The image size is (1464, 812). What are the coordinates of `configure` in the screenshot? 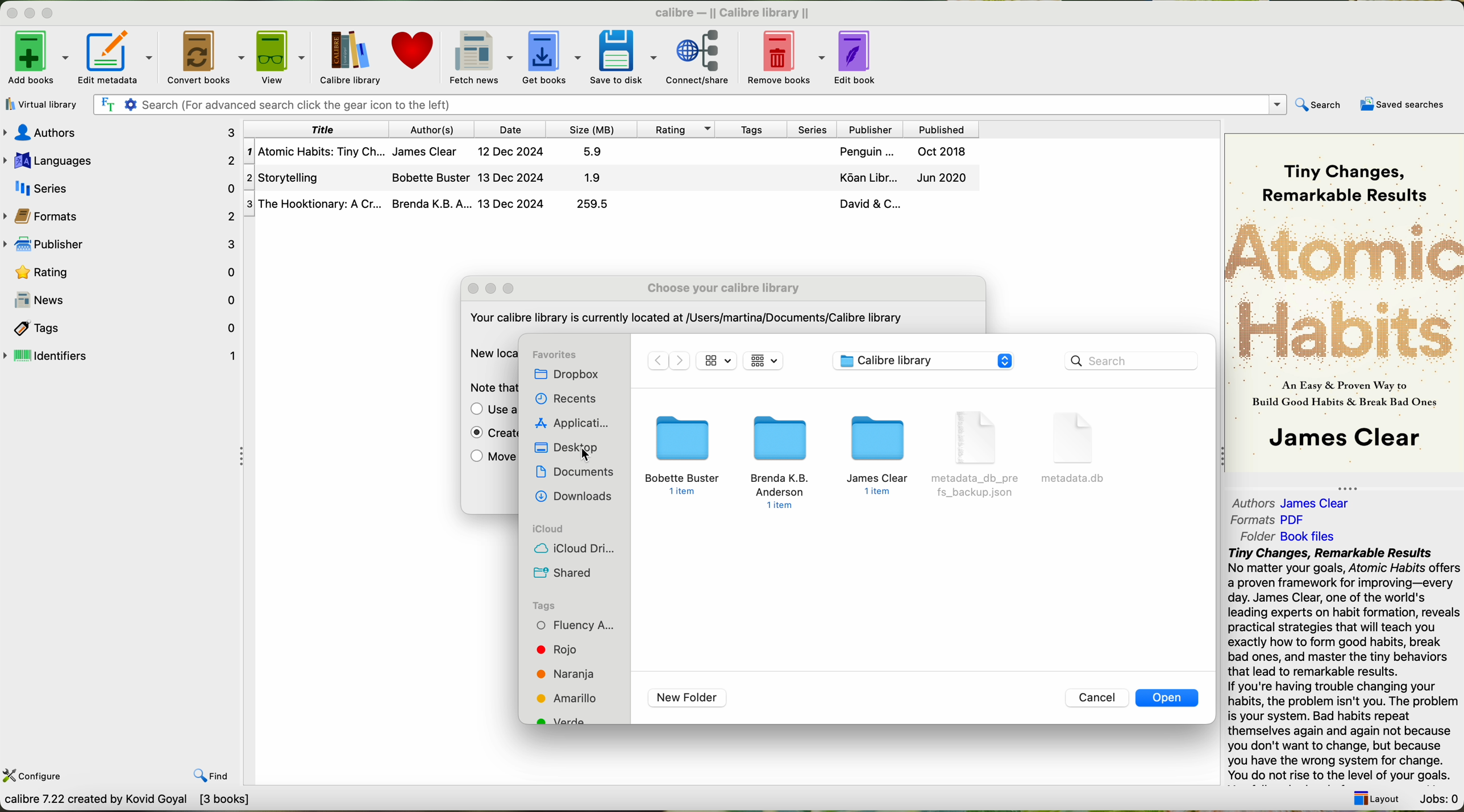 It's located at (35, 774).